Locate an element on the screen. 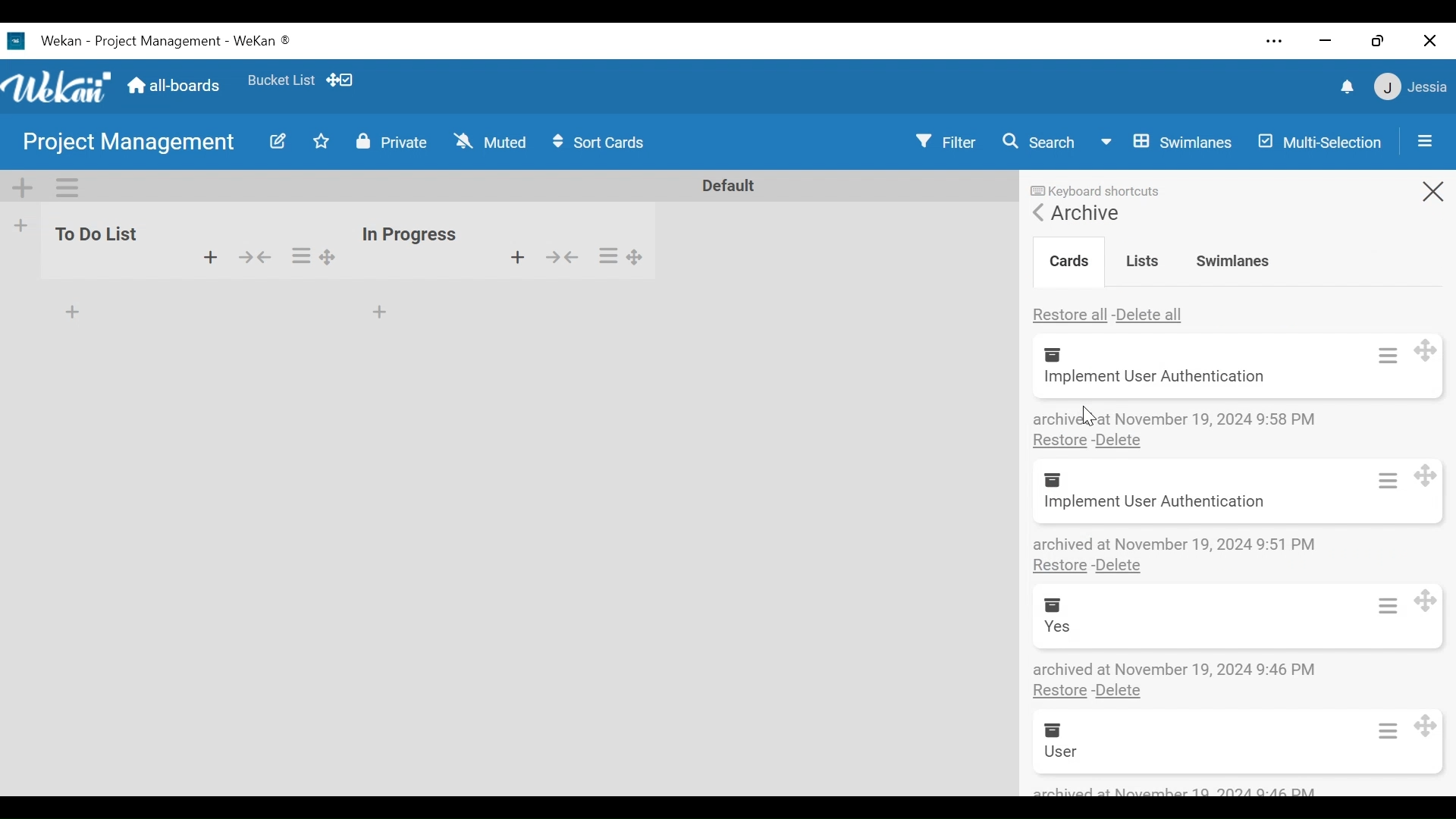  restore is located at coordinates (1377, 40).